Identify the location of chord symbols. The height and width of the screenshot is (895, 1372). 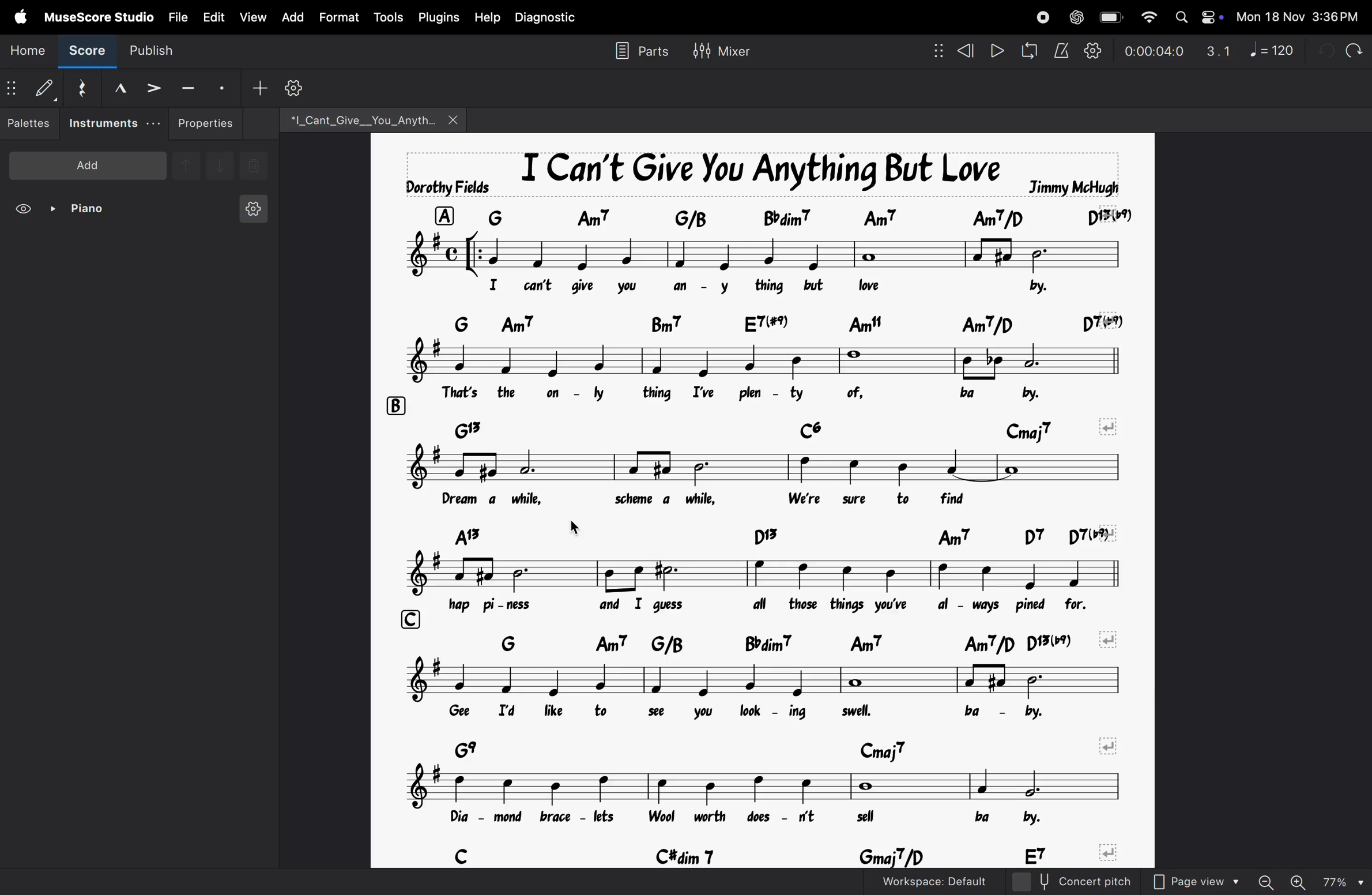
(786, 749).